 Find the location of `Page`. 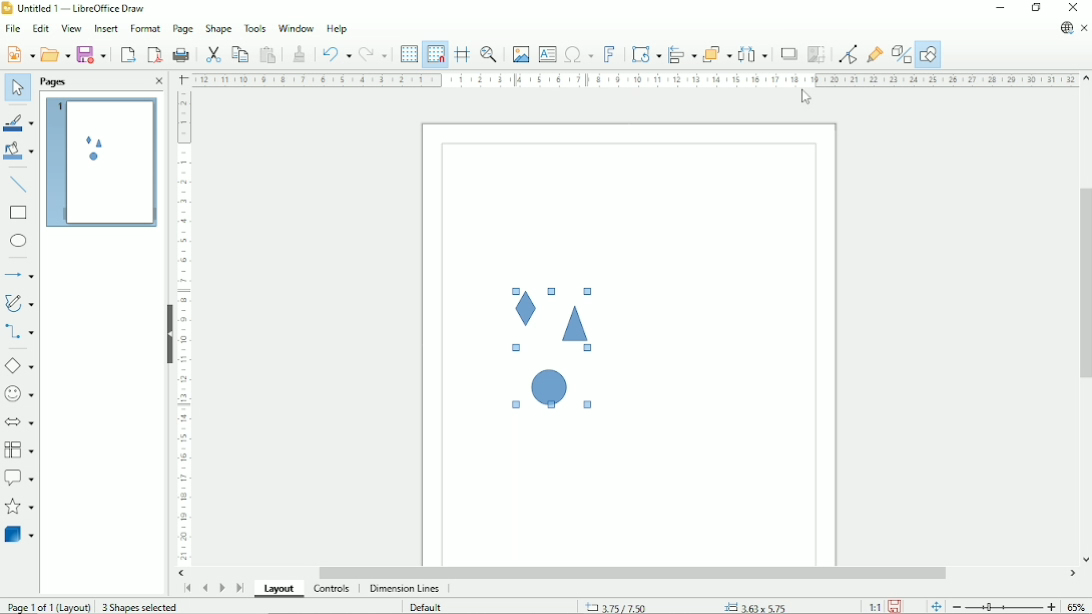

Page is located at coordinates (183, 29).